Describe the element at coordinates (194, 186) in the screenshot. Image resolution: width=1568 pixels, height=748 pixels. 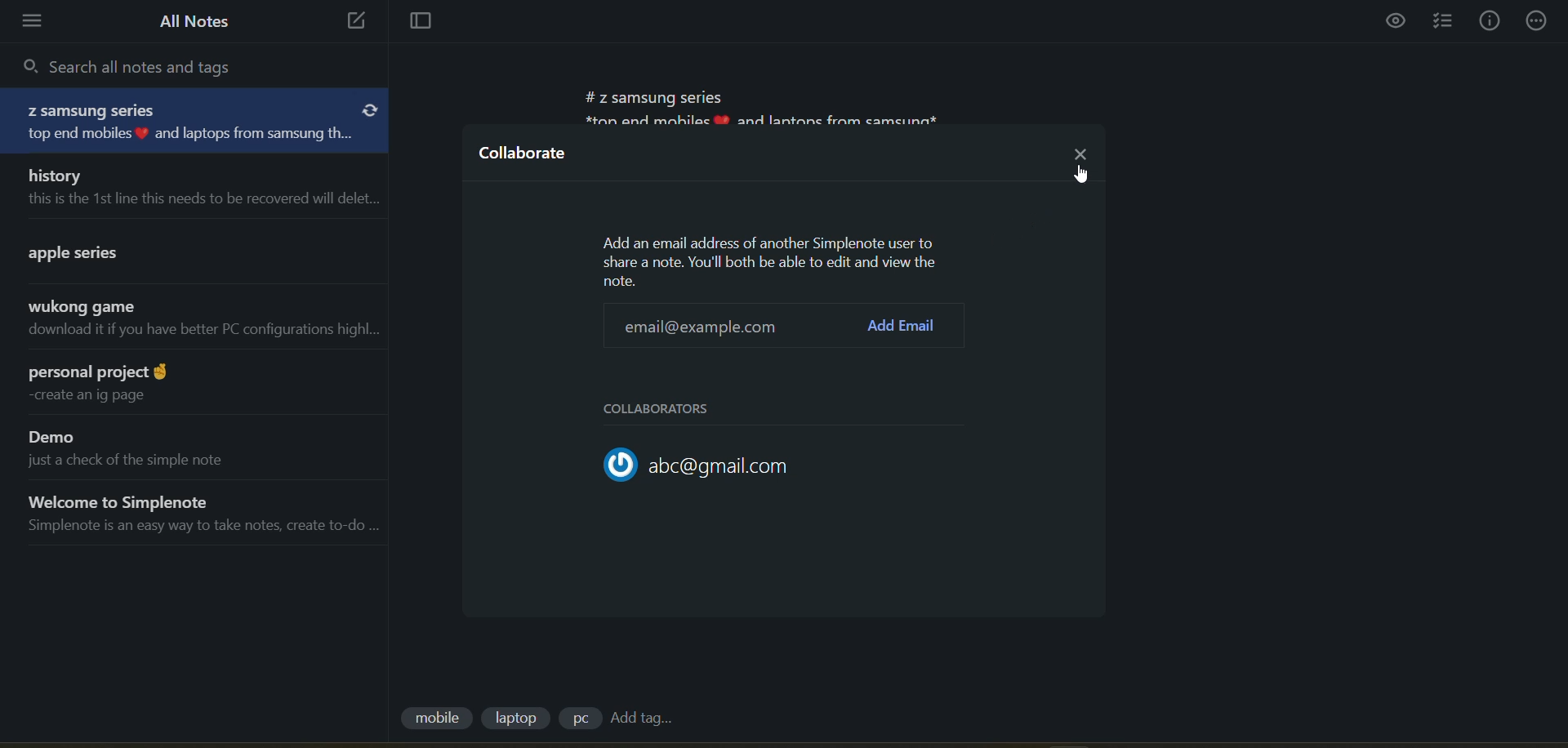
I see `note title and preview` at that location.